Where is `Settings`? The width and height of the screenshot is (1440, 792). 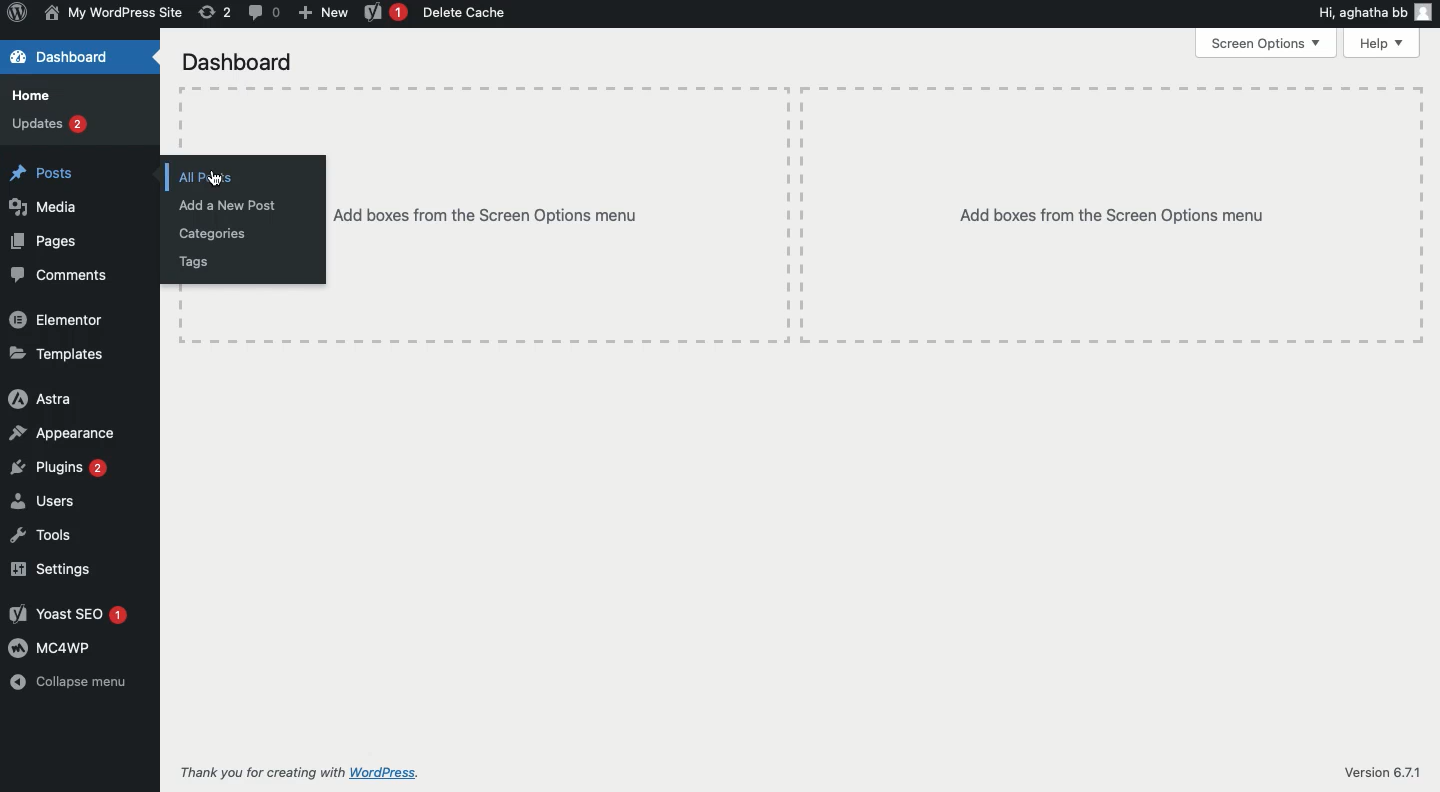
Settings is located at coordinates (50, 568).